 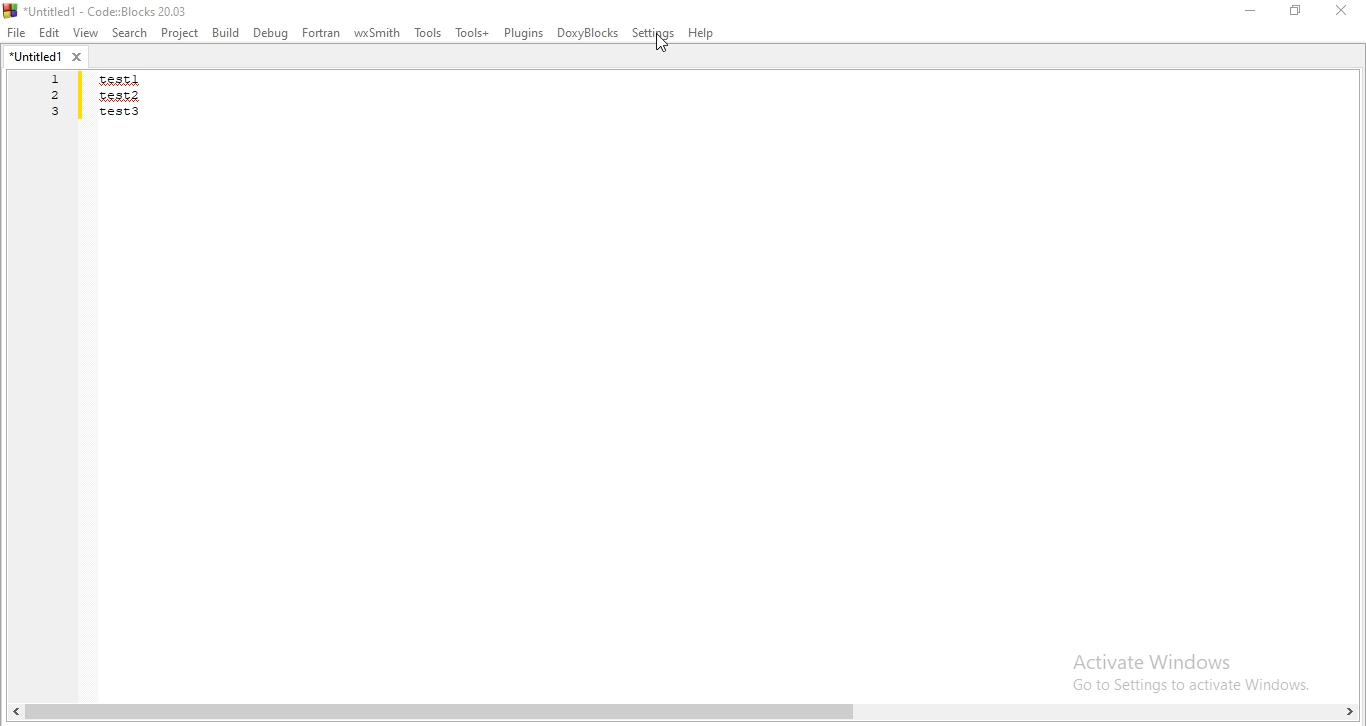 What do you see at coordinates (322, 33) in the screenshot?
I see `Fortran` at bounding box center [322, 33].